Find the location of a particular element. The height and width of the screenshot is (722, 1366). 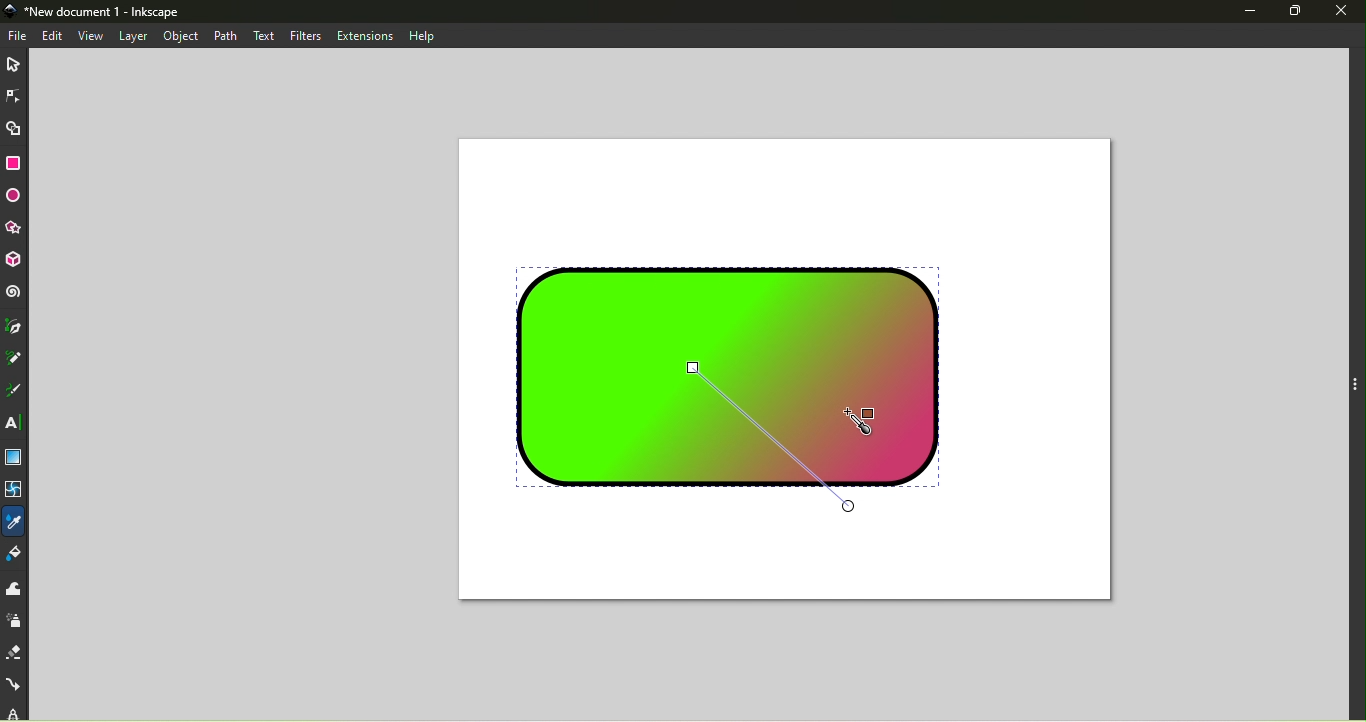

Minimize is located at coordinates (1248, 12).